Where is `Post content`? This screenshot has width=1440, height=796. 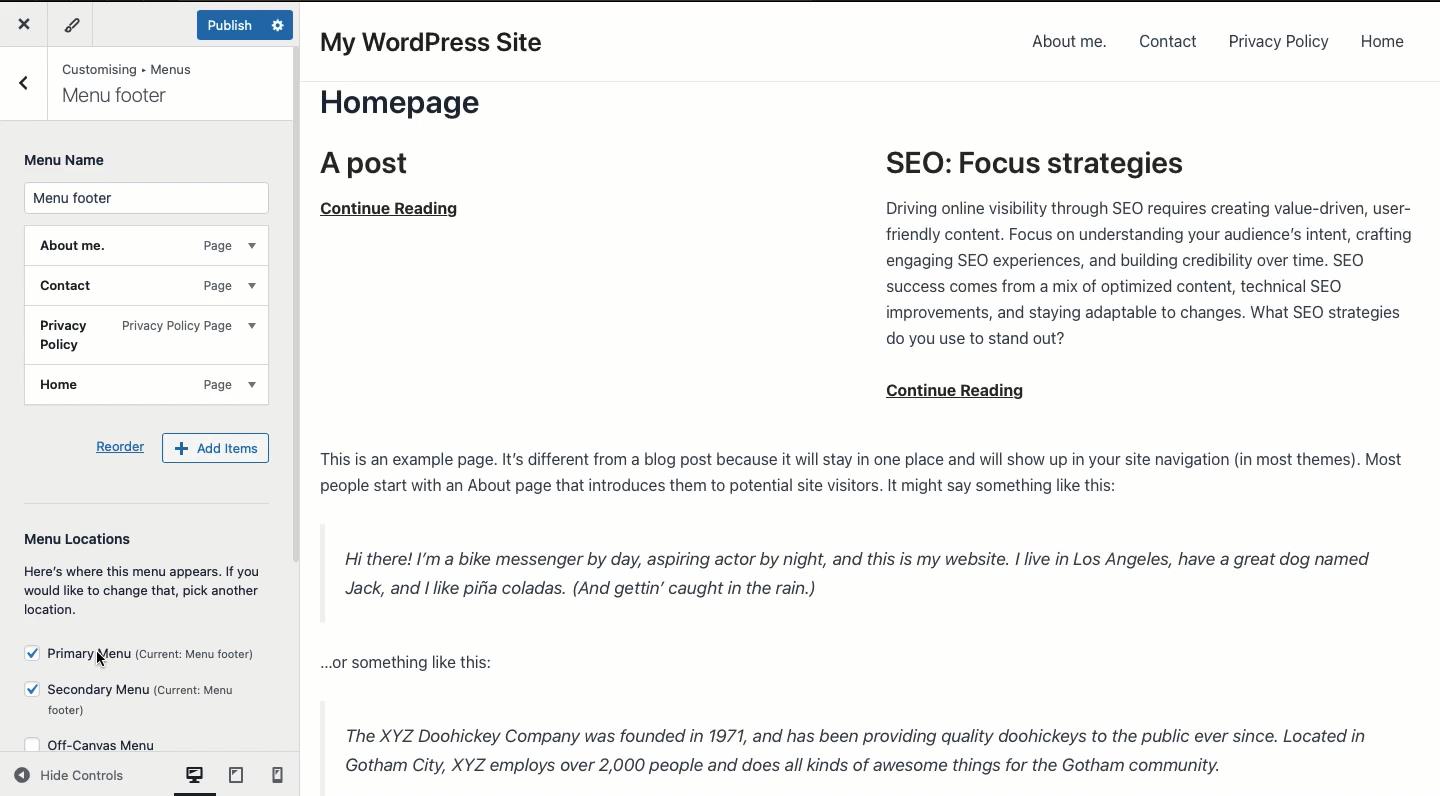 Post content is located at coordinates (866, 613).